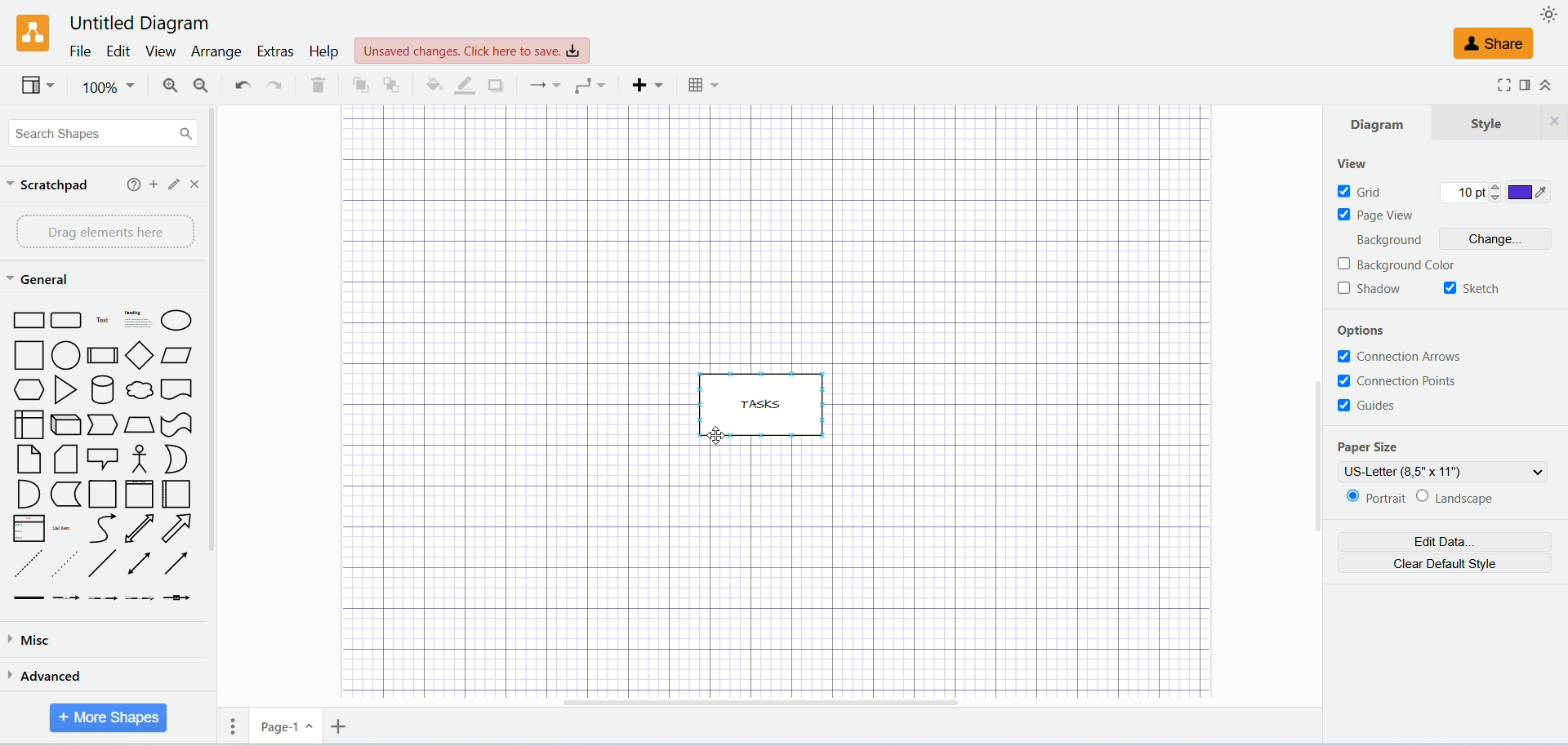 This screenshot has width=1568, height=746. I want to click on connection arrow, so click(1403, 354).